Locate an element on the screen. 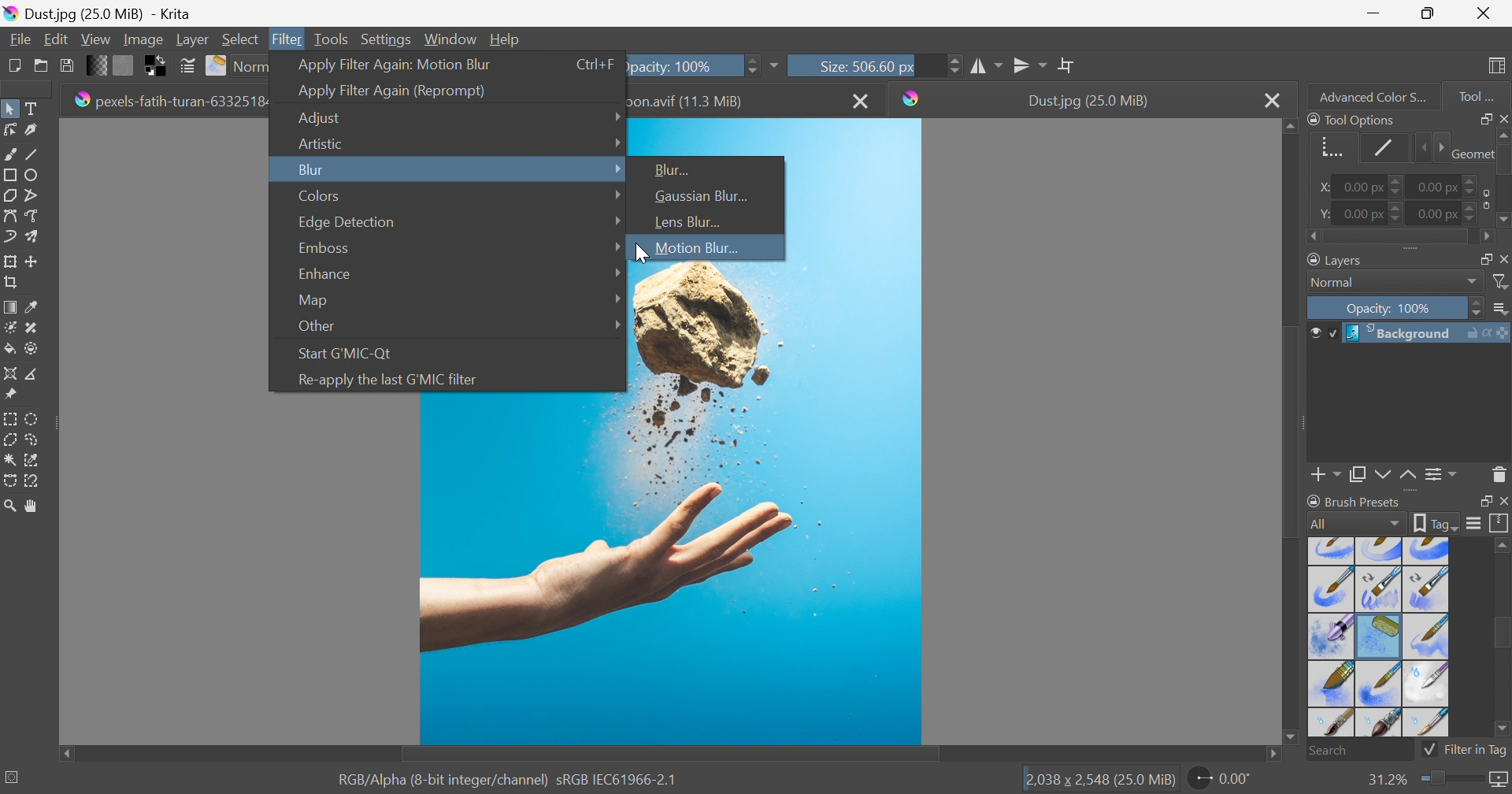  Slider is located at coordinates (1398, 213).